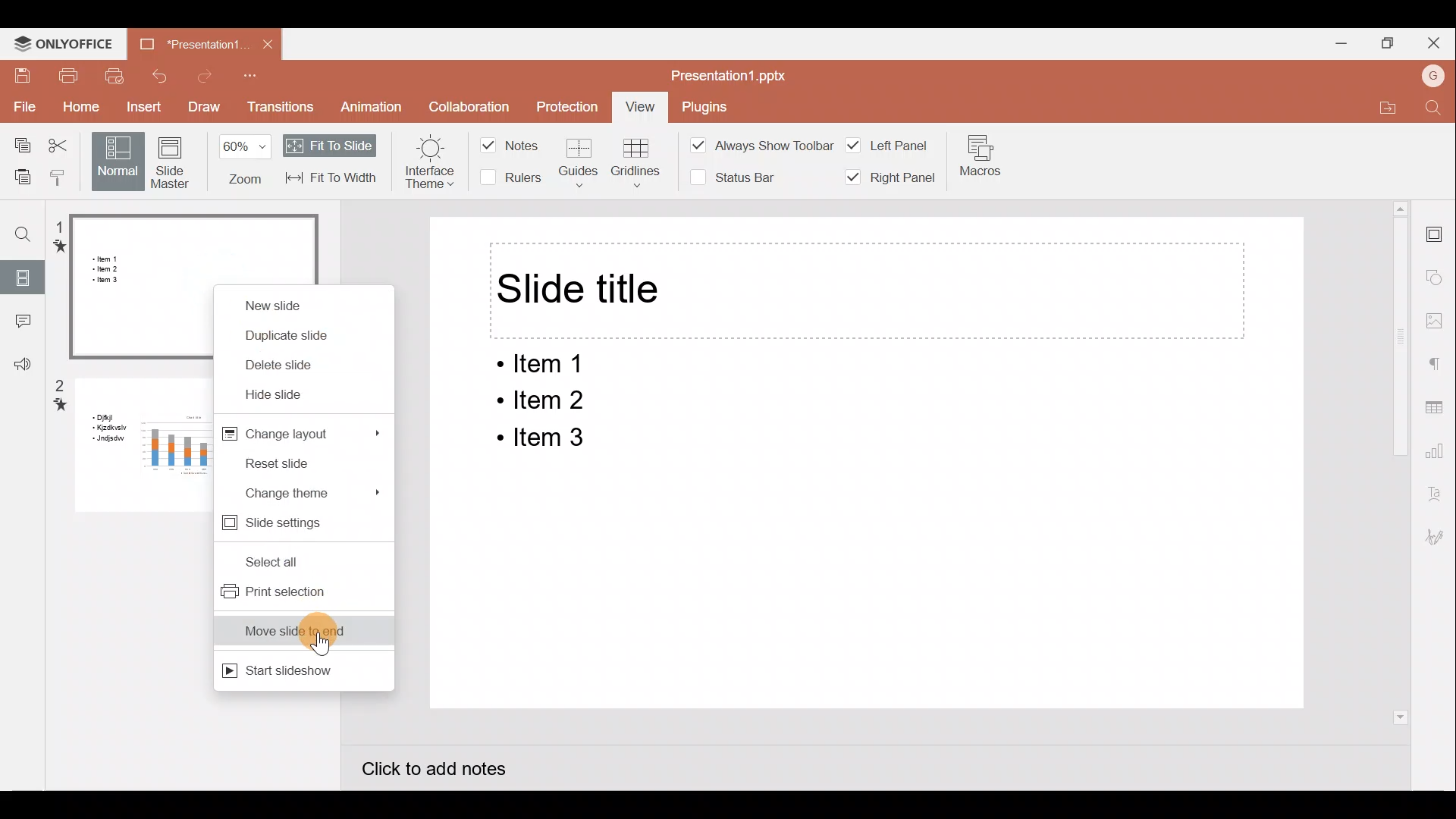 The height and width of the screenshot is (819, 1456). What do you see at coordinates (896, 183) in the screenshot?
I see `Right panel` at bounding box center [896, 183].